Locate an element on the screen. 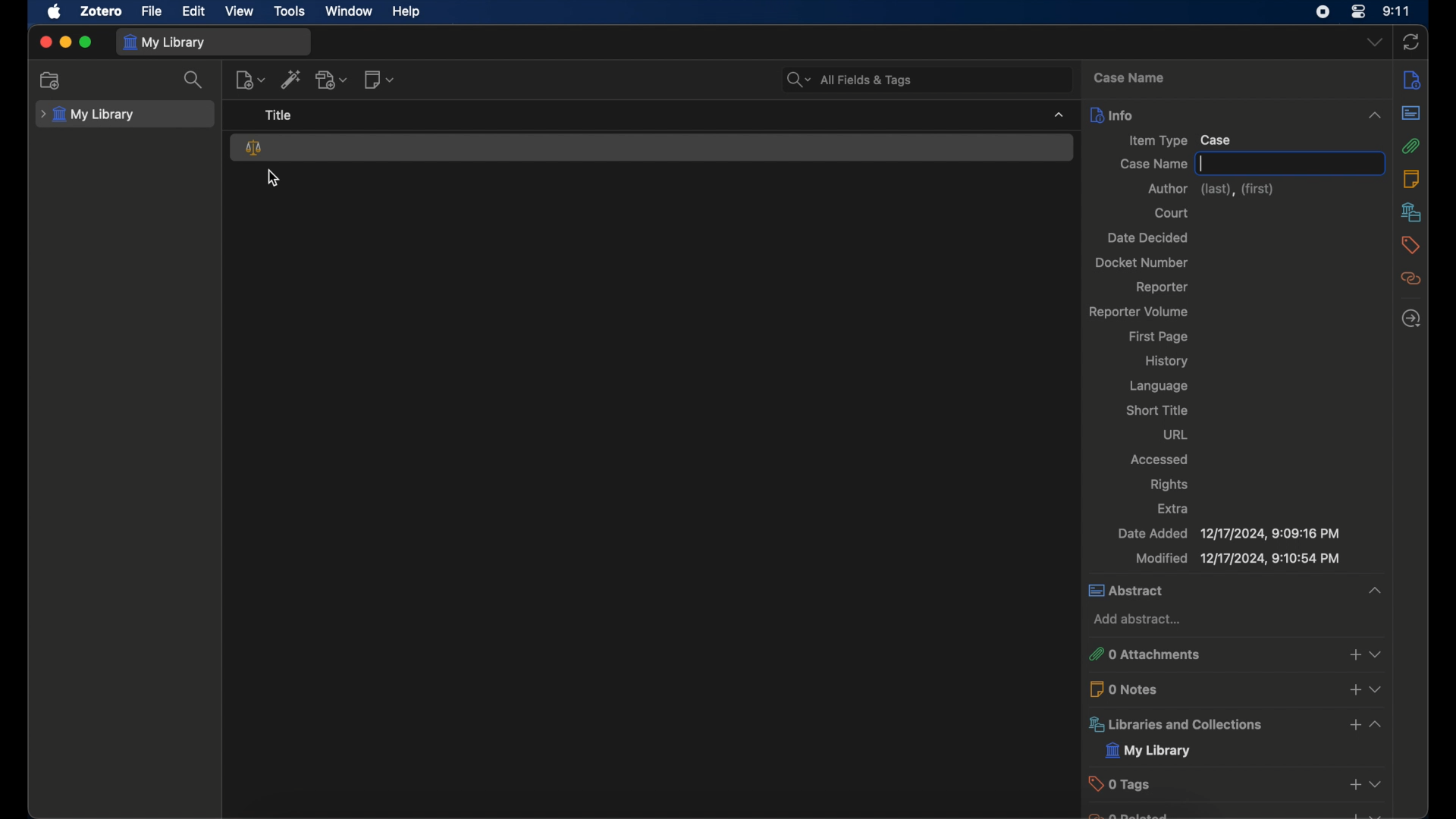  search is located at coordinates (195, 80).